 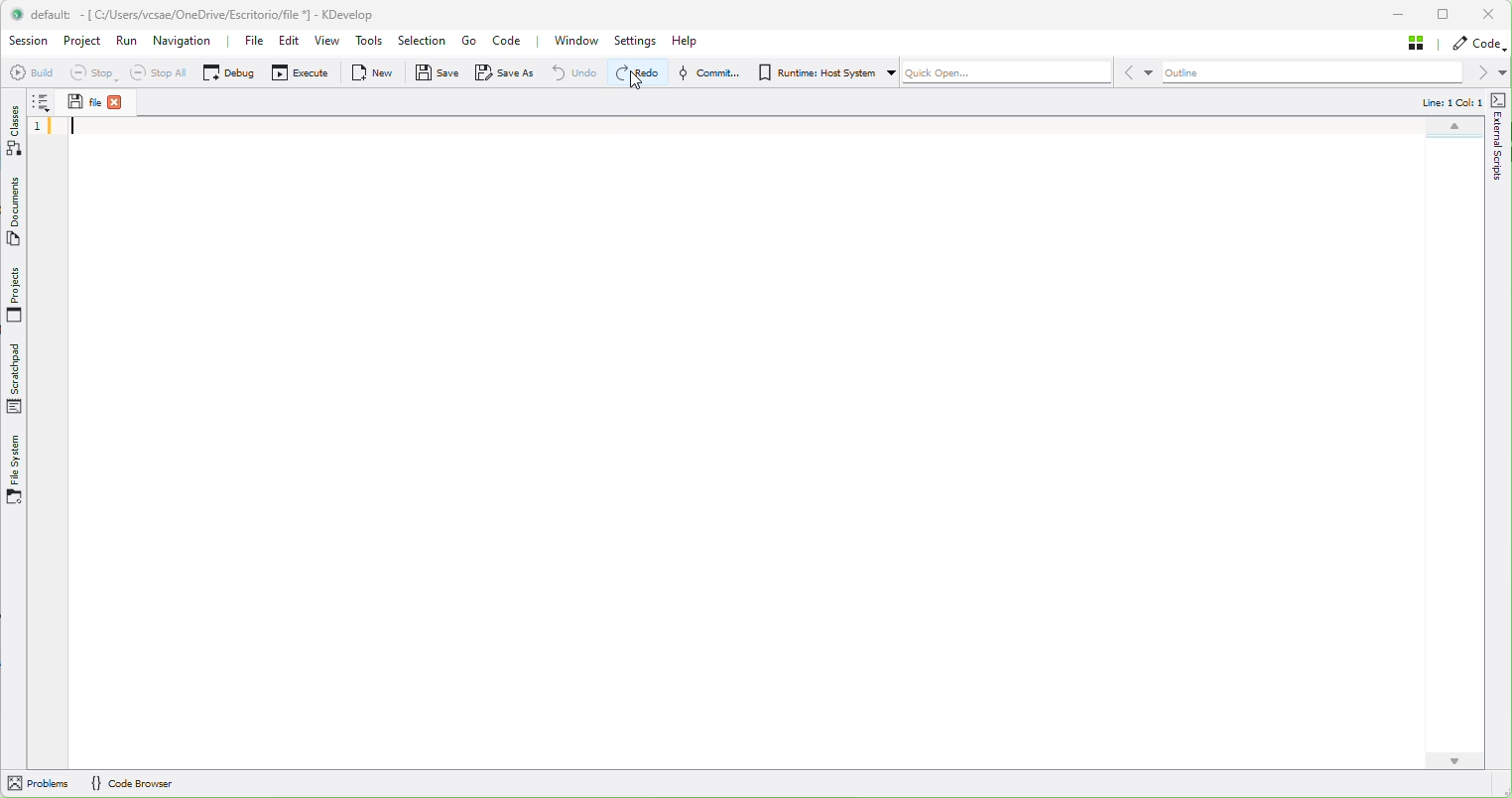 What do you see at coordinates (41, 130) in the screenshot?
I see `Sequence` at bounding box center [41, 130].